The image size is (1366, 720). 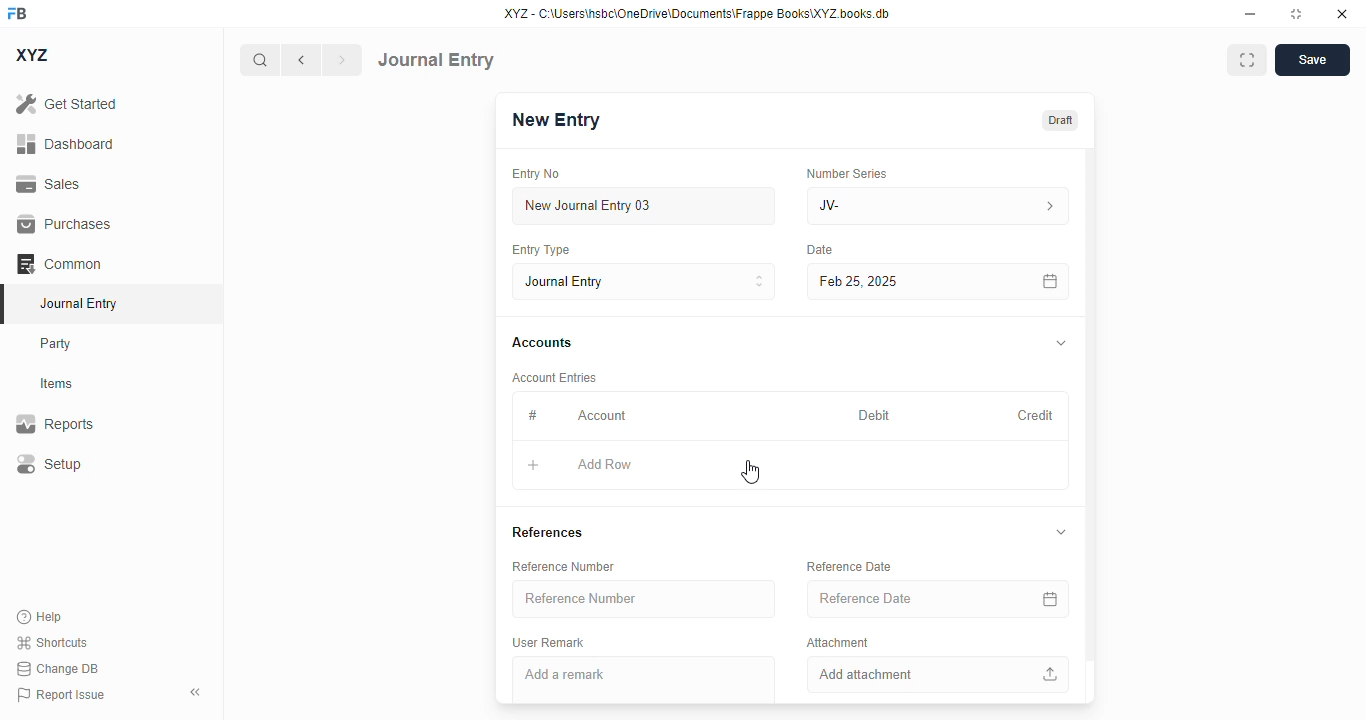 What do you see at coordinates (1251, 13) in the screenshot?
I see `minimize` at bounding box center [1251, 13].